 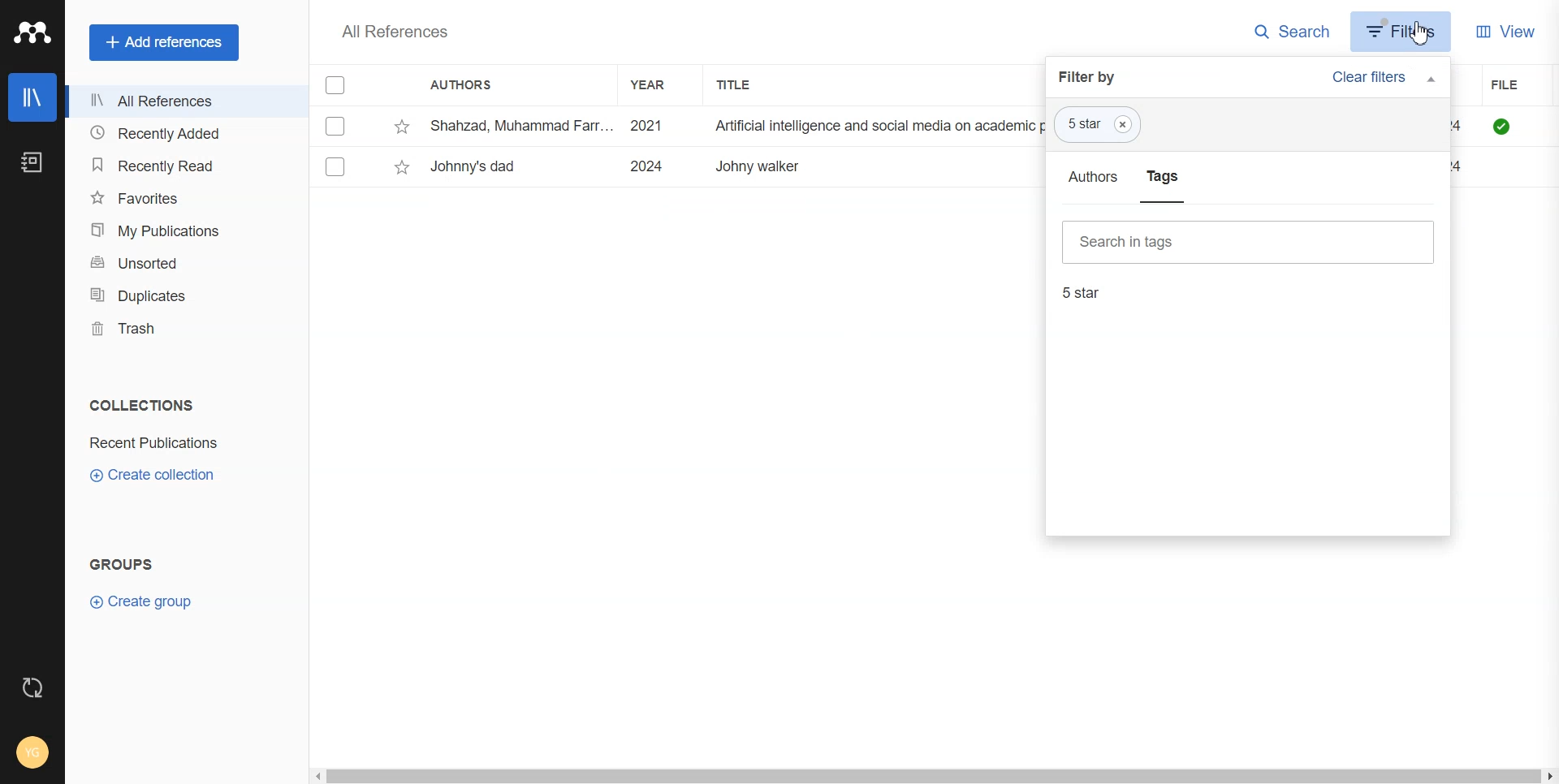 I want to click on Checklist, so click(x=337, y=85).